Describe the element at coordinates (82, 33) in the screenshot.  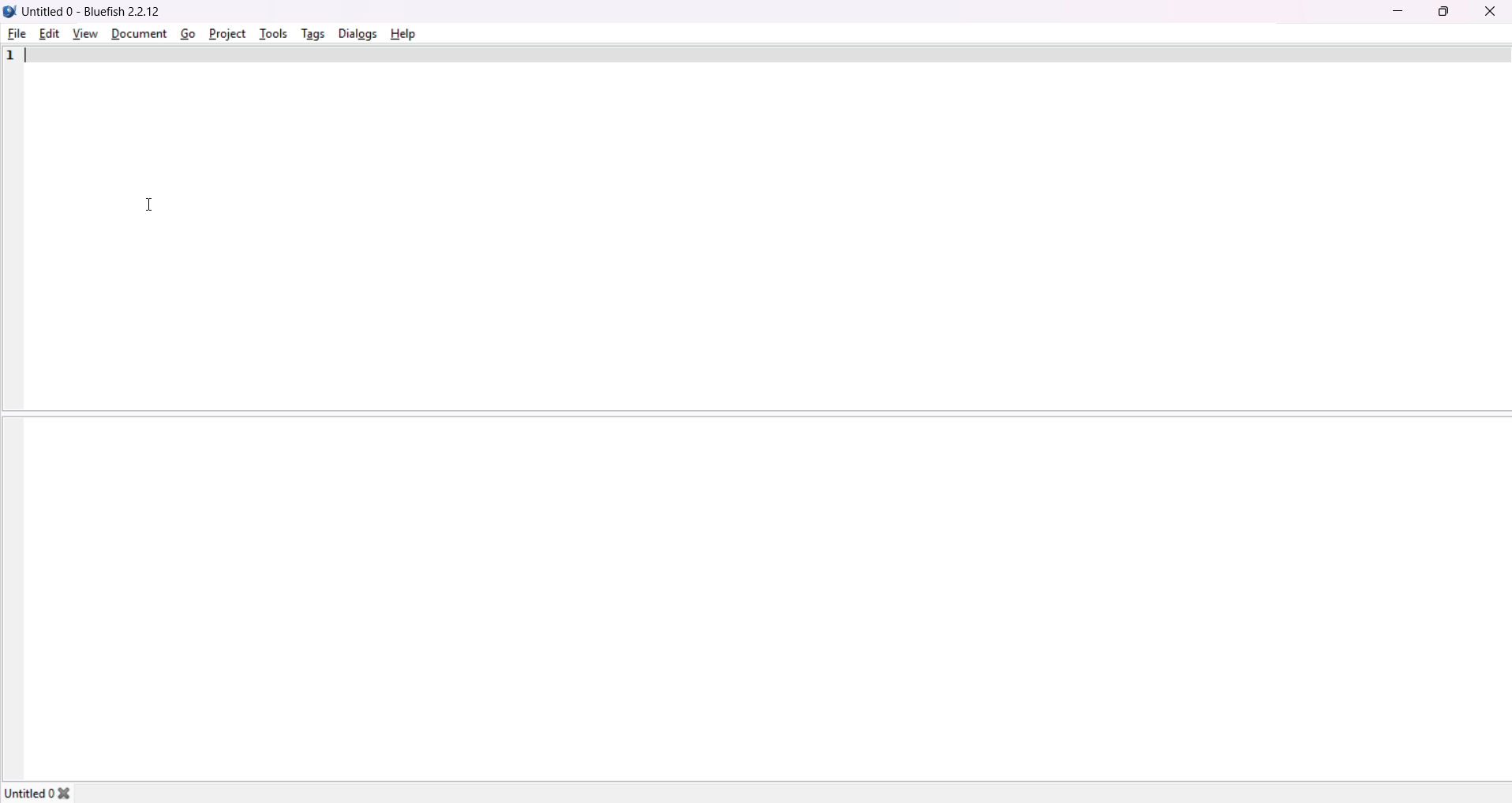
I see `view` at that location.